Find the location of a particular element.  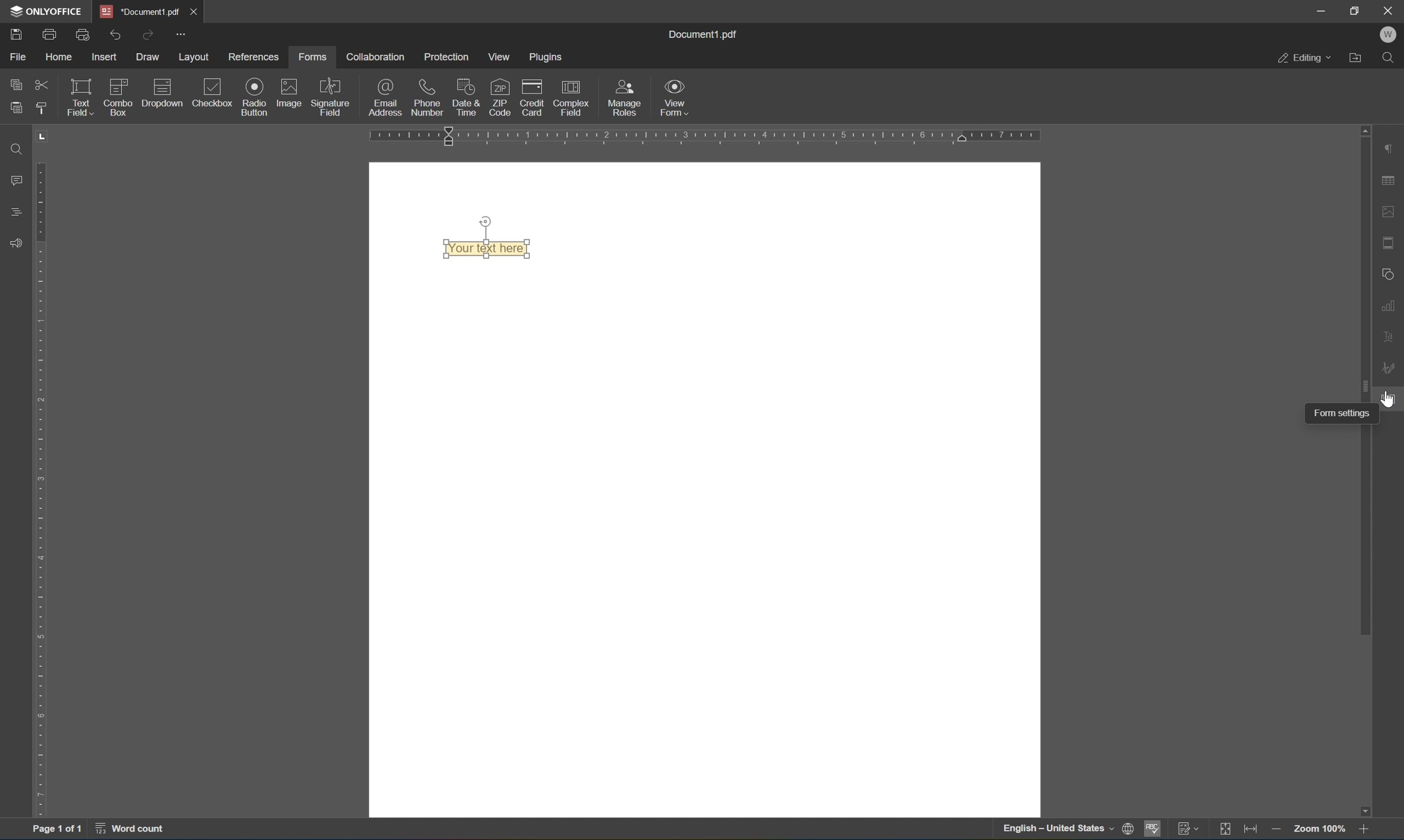

header and footer settings is located at coordinates (1392, 242).